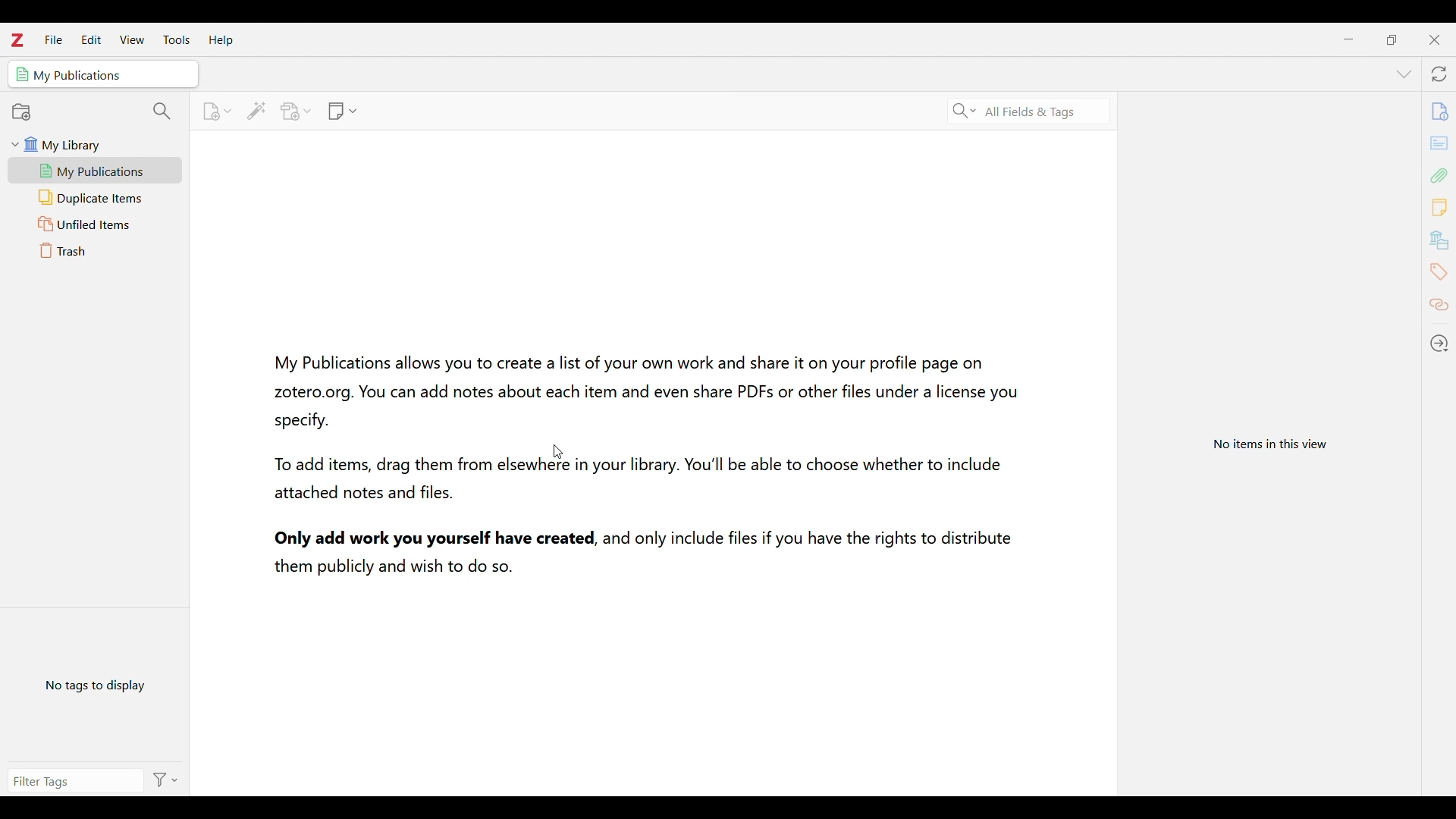  I want to click on Action options, so click(164, 780).